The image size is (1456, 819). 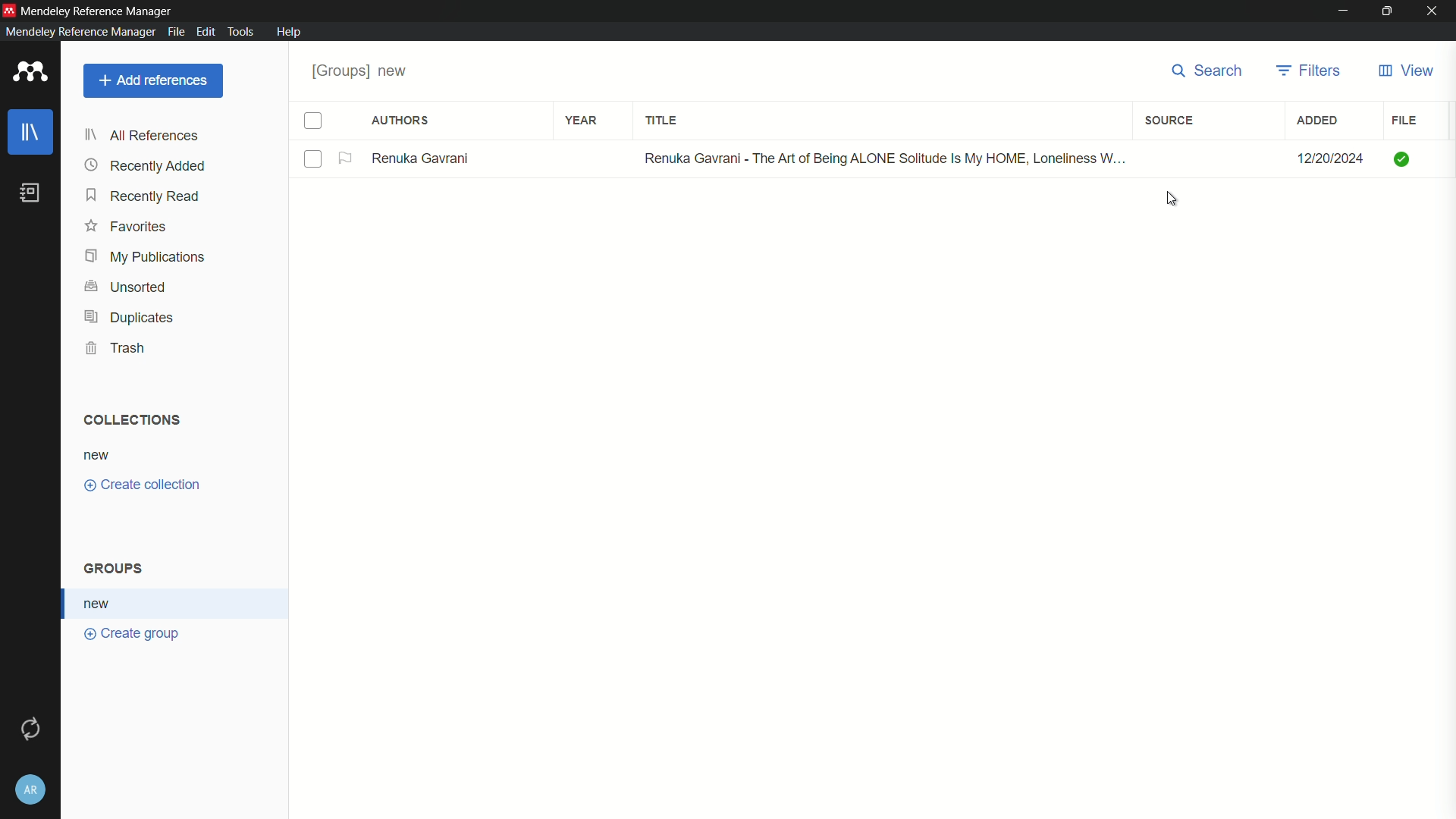 What do you see at coordinates (1319, 122) in the screenshot?
I see `added` at bounding box center [1319, 122].